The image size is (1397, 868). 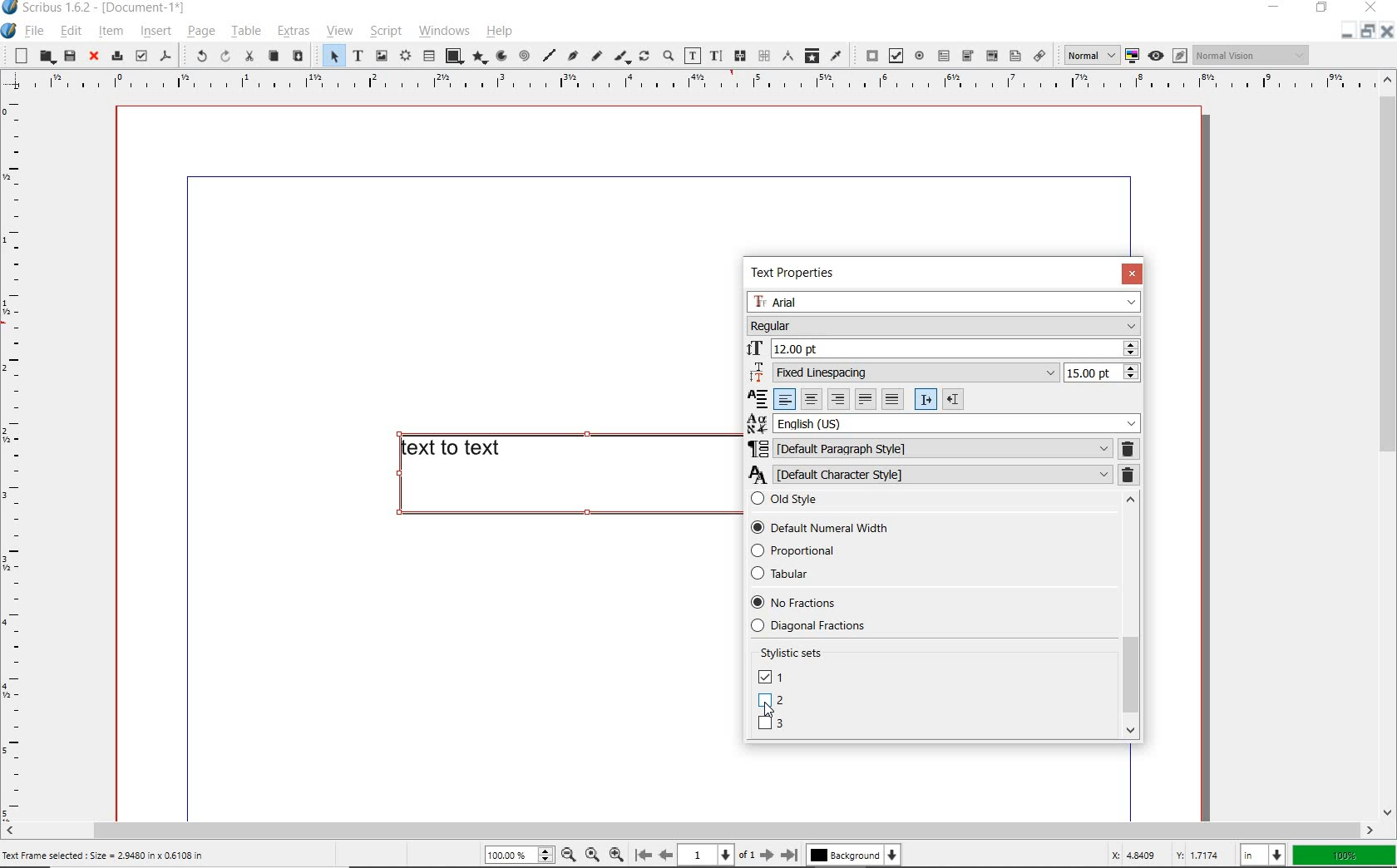 I want to click on file, so click(x=35, y=32).